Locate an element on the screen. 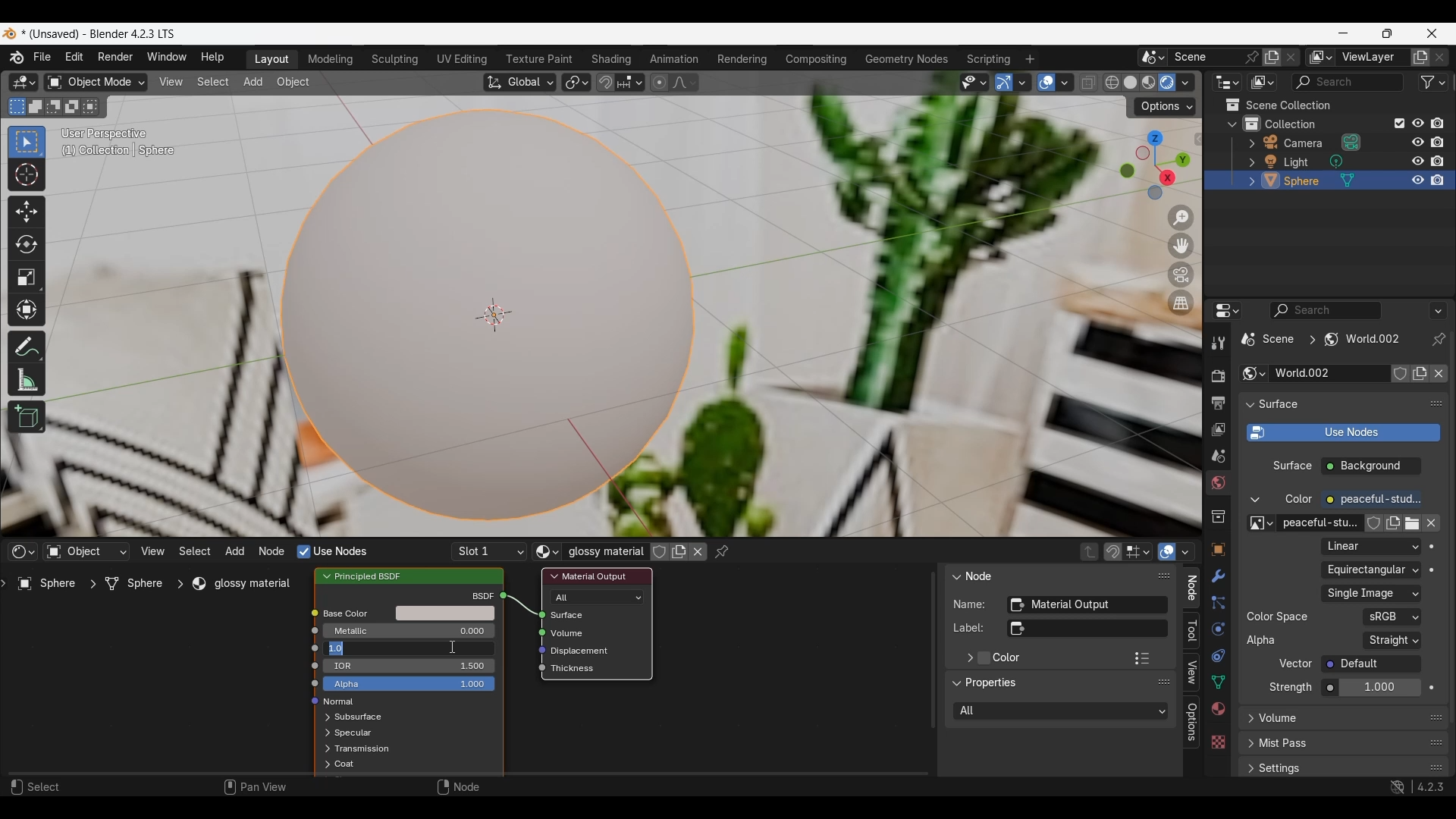 The height and width of the screenshot is (819, 1456). Add color to material output panel is located at coordinates (984, 658).